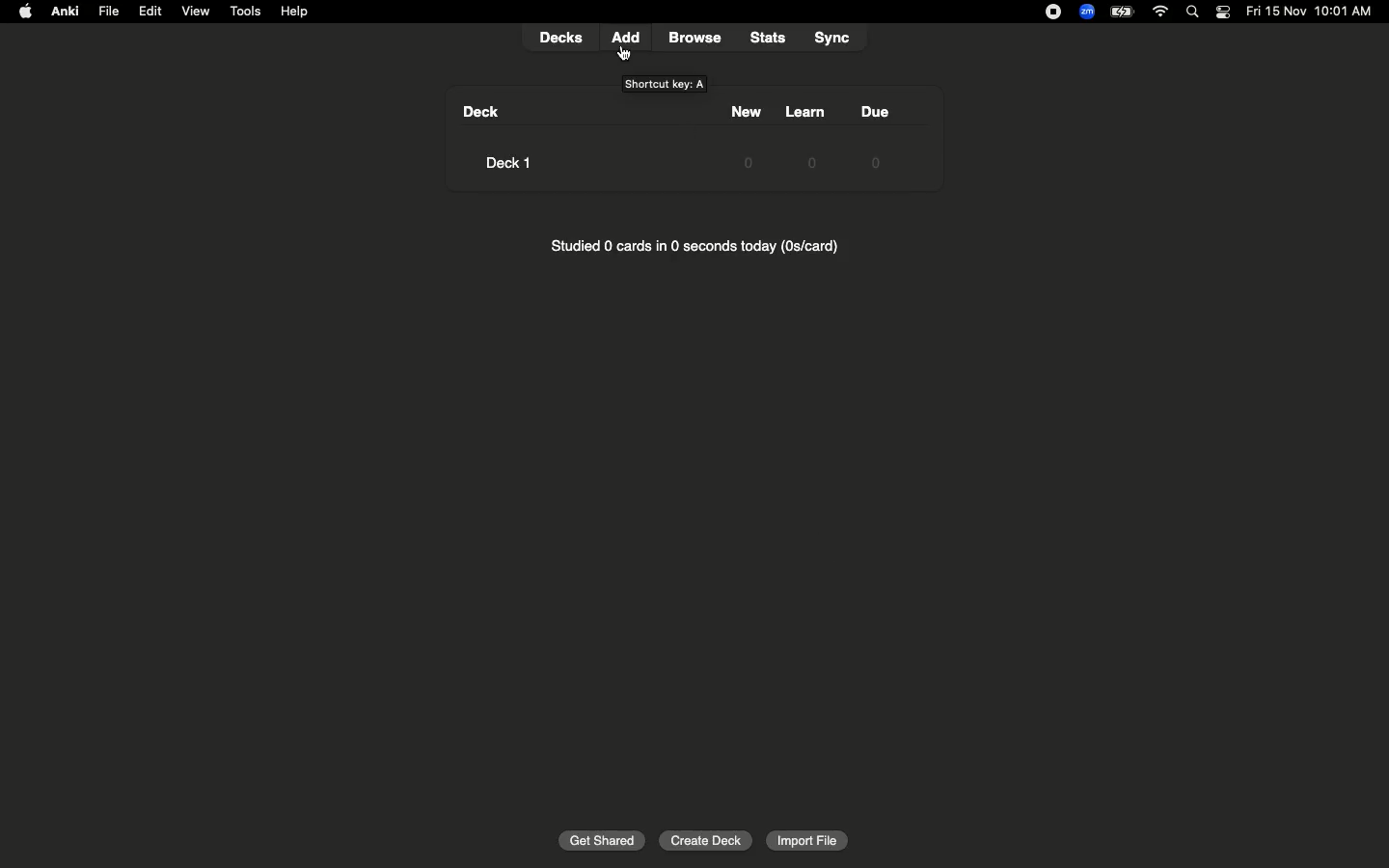 The width and height of the screenshot is (1389, 868). What do you see at coordinates (498, 140) in the screenshot?
I see `Deck` at bounding box center [498, 140].